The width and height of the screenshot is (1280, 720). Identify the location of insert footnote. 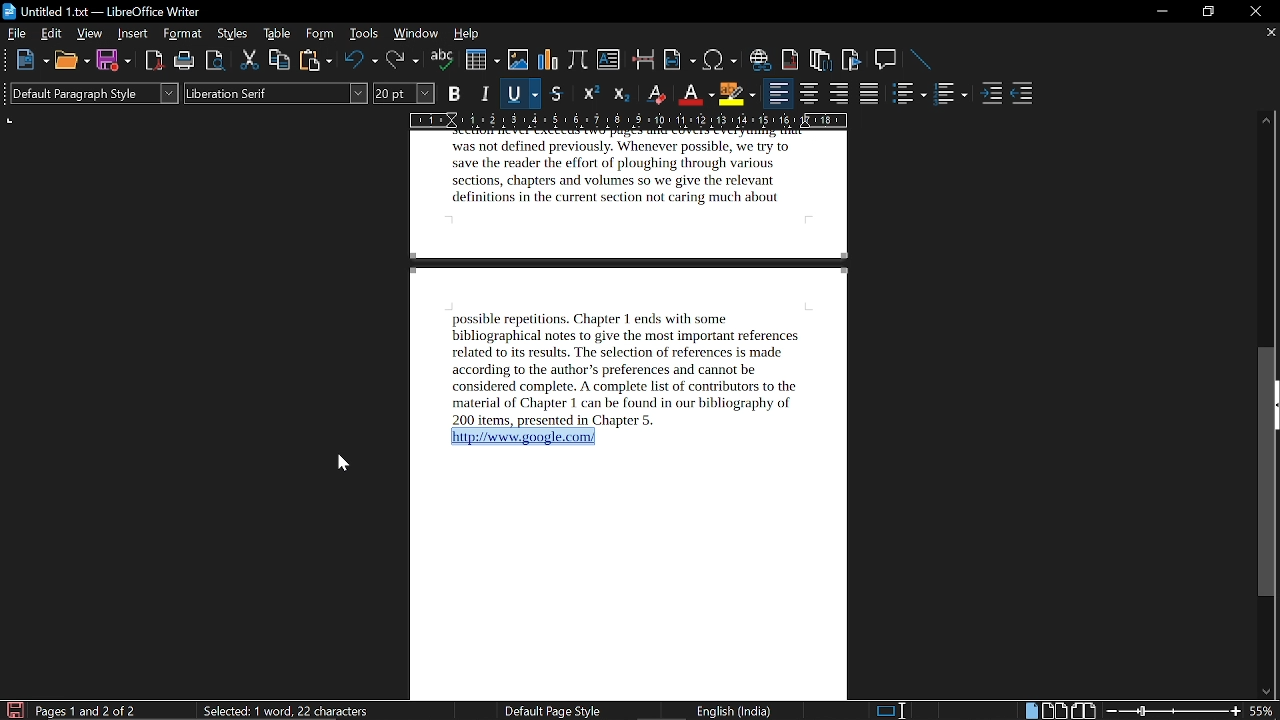
(791, 59).